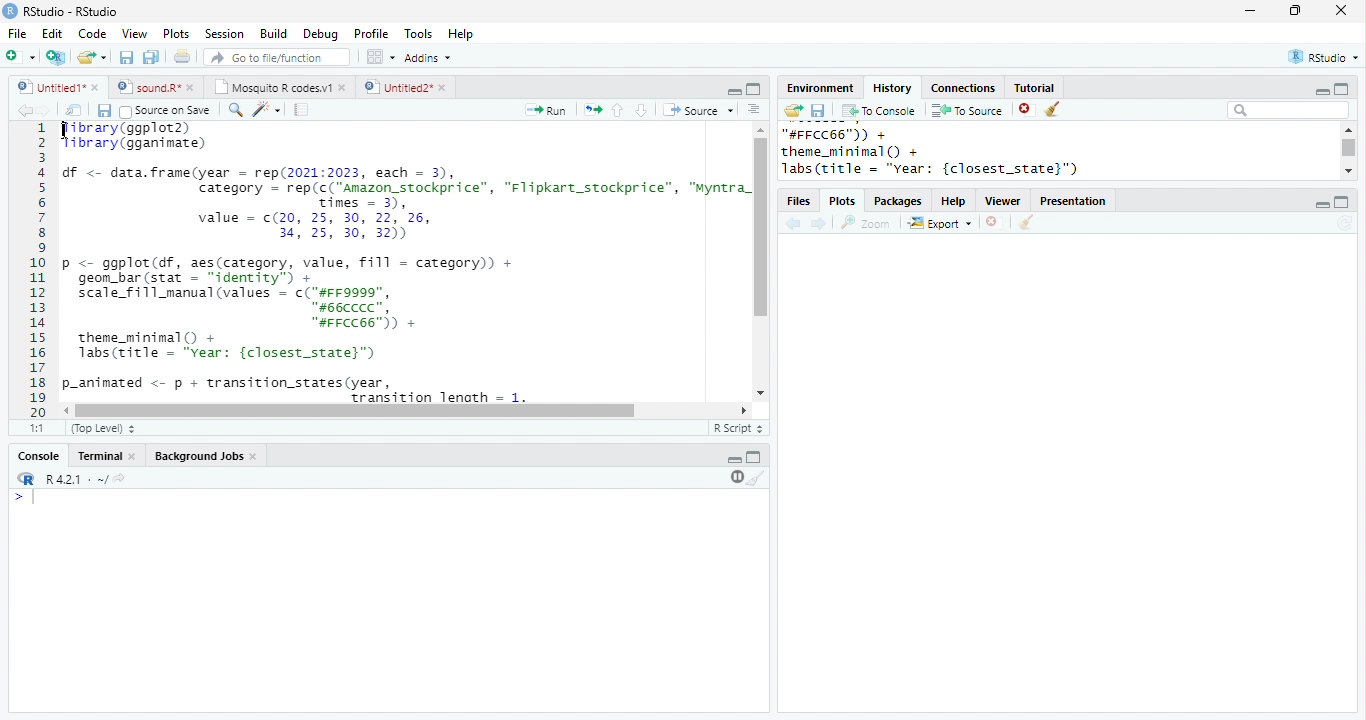 The width and height of the screenshot is (1366, 720). What do you see at coordinates (74, 110) in the screenshot?
I see `show in new window` at bounding box center [74, 110].